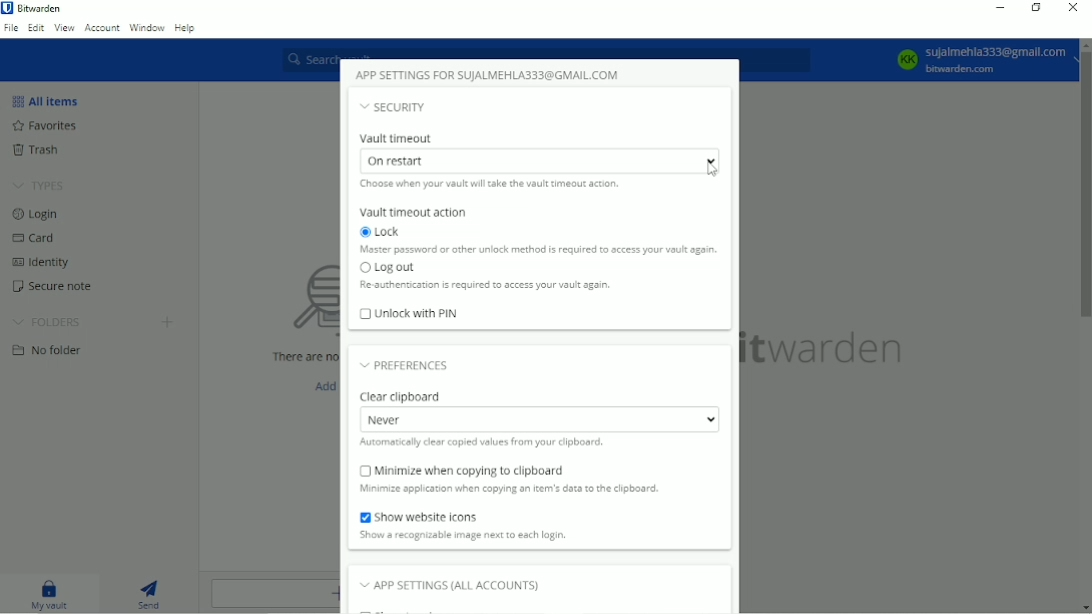  Describe the element at coordinates (146, 27) in the screenshot. I see `Window` at that location.